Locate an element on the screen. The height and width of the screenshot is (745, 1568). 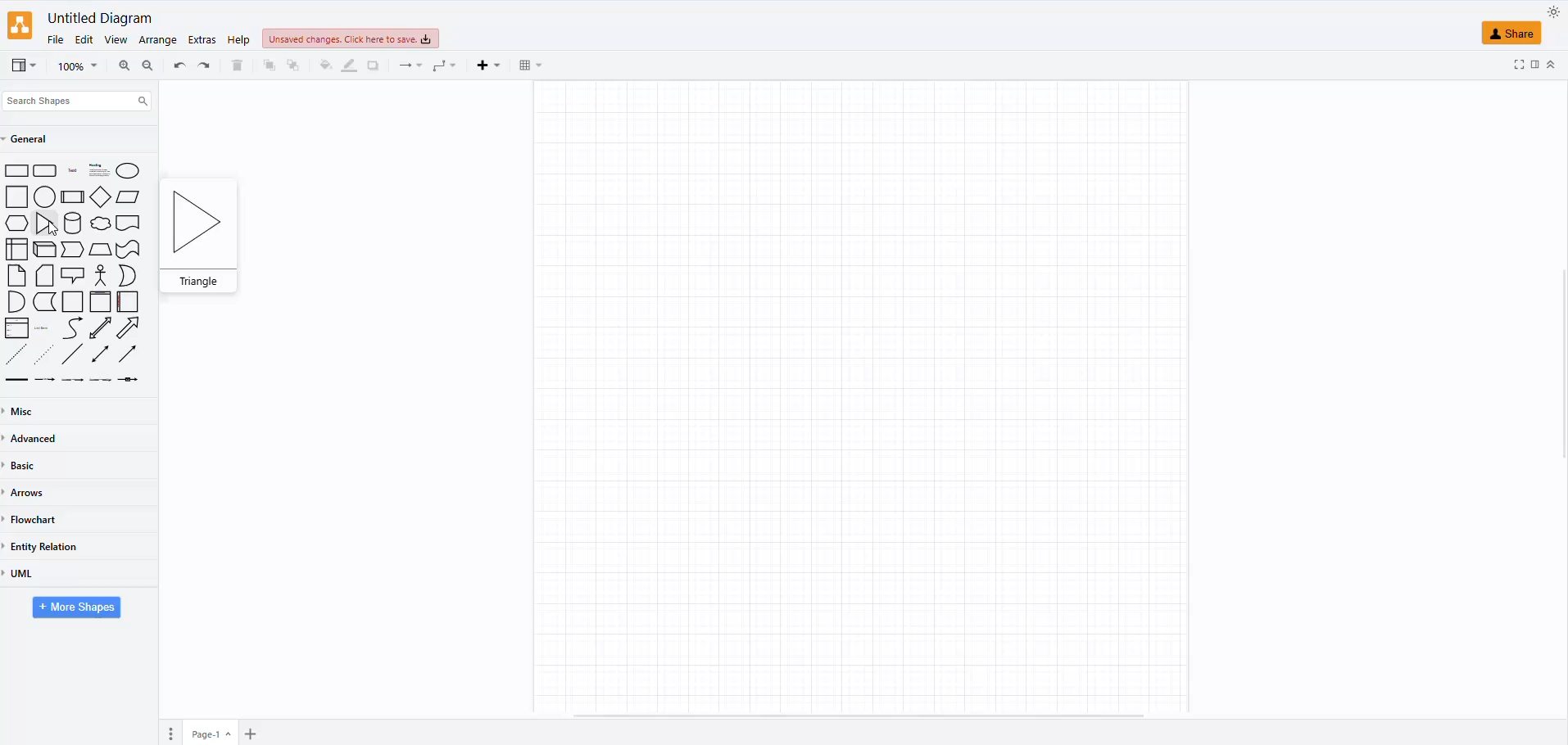
appearance is located at coordinates (1552, 12).